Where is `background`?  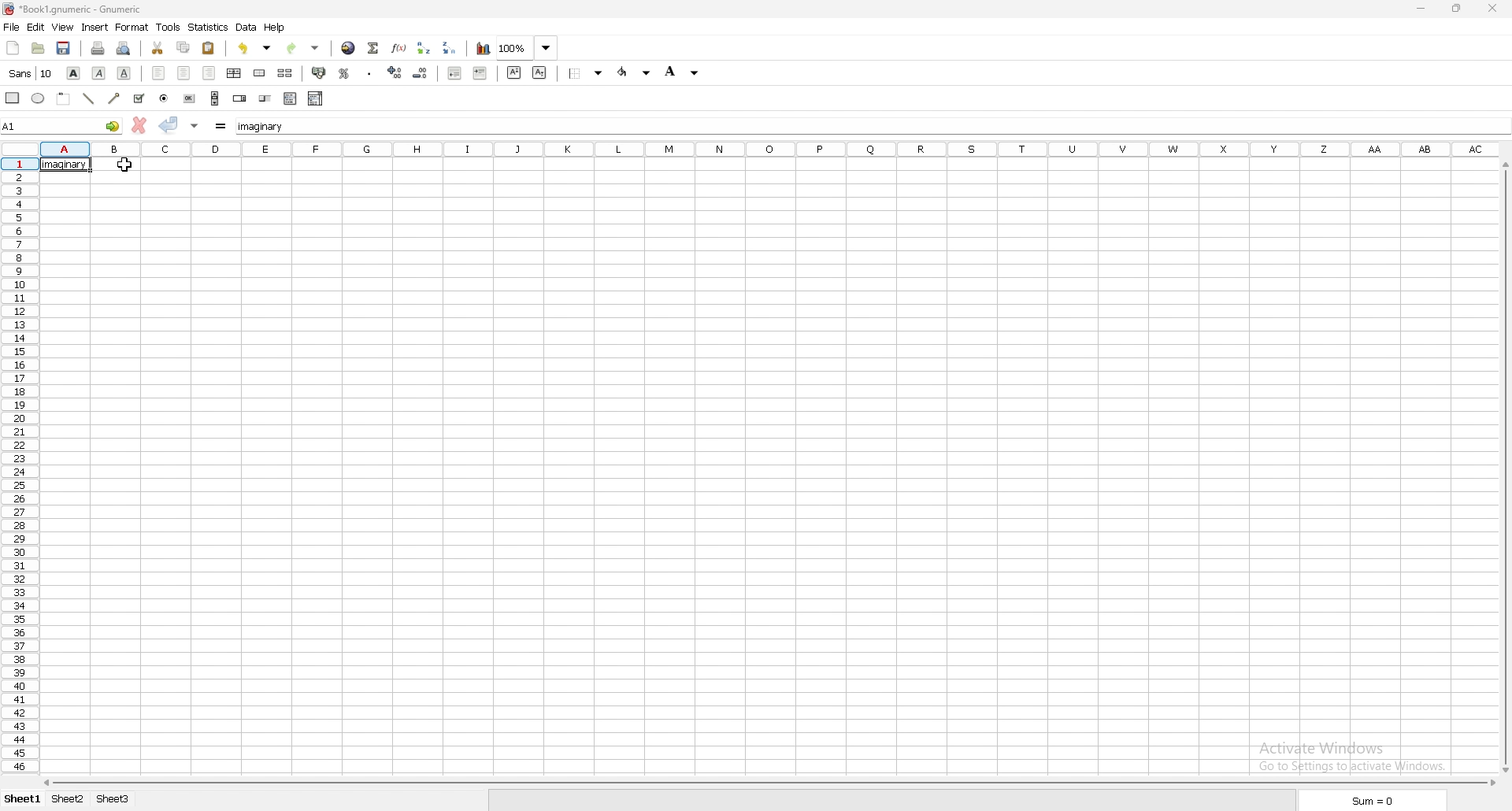 background is located at coordinates (683, 73).